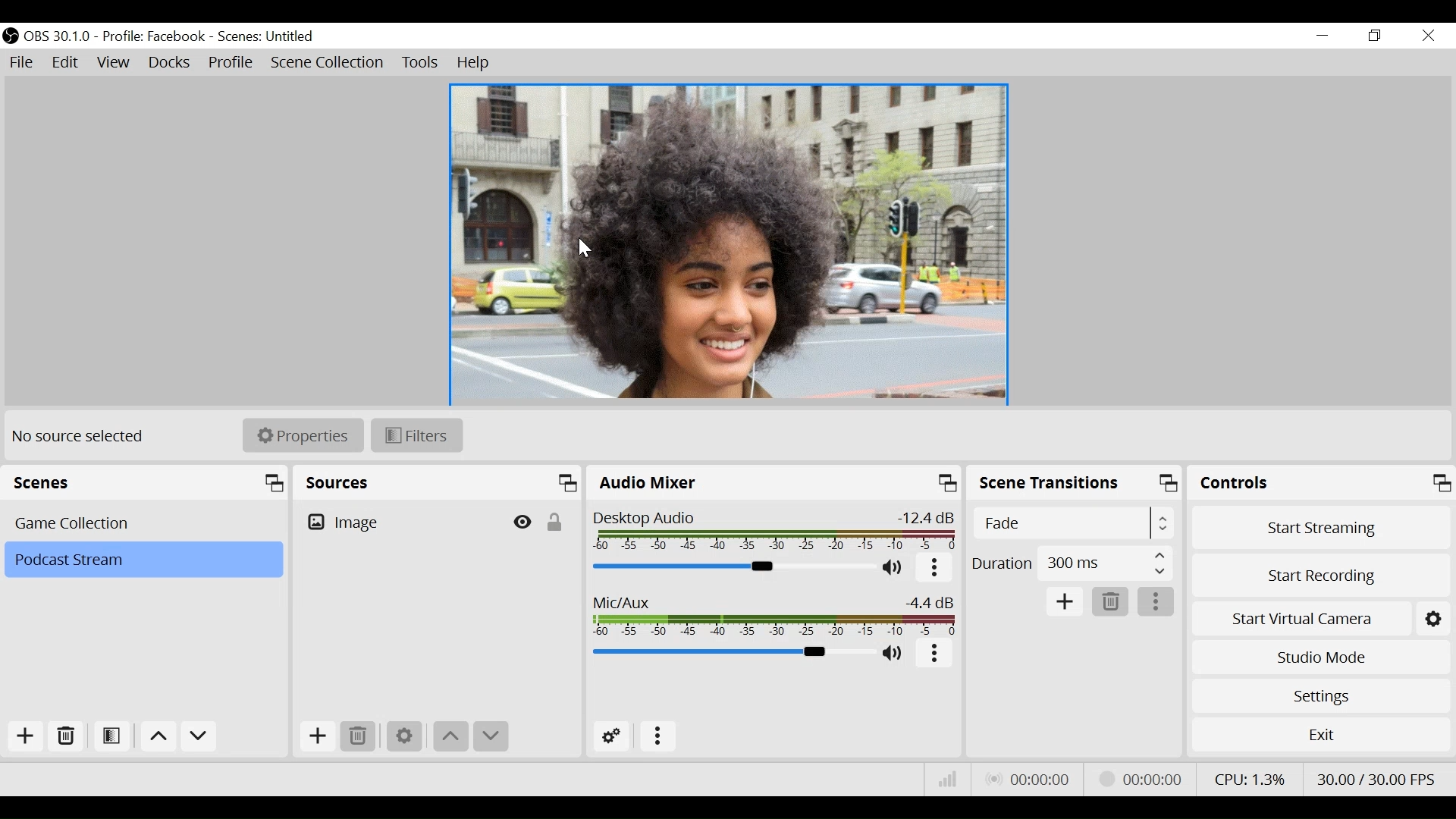 The height and width of the screenshot is (819, 1456). I want to click on OBS Studio Desktop Icon, so click(10, 36).